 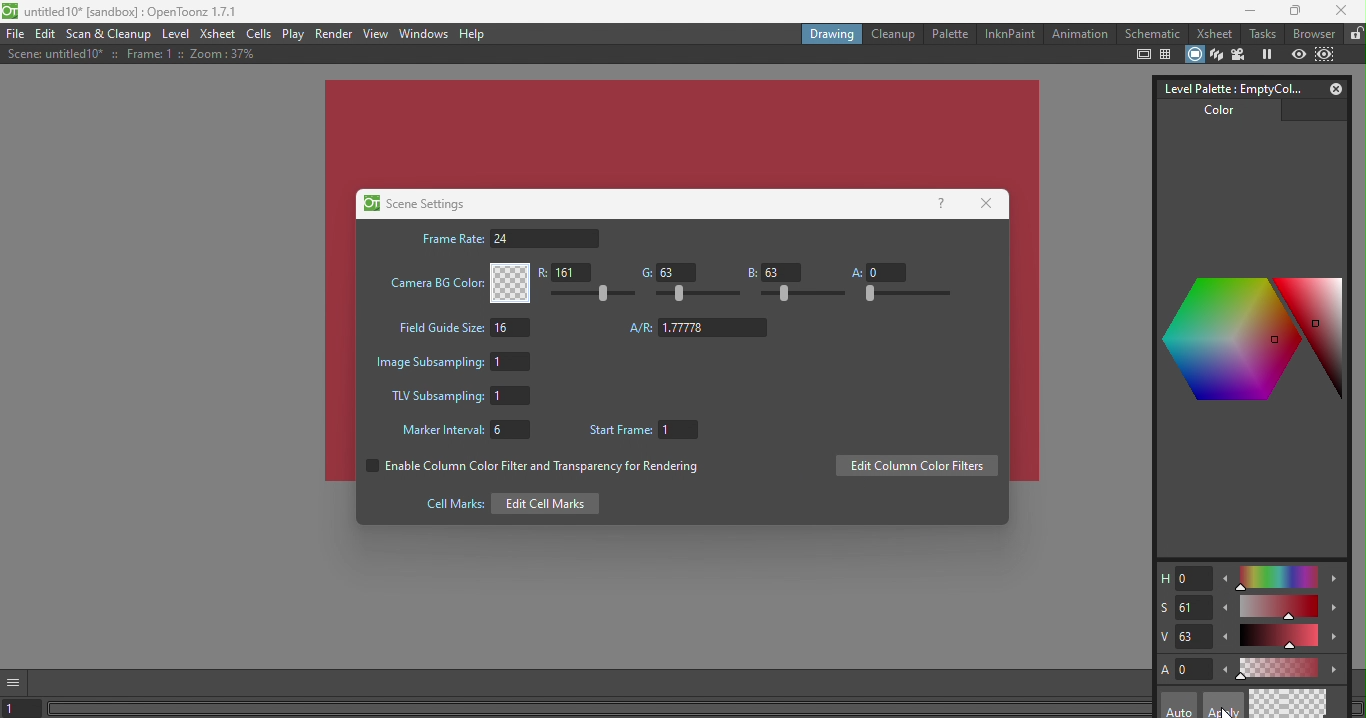 What do you see at coordinates (1335, 612) in the screenshot?
I see `` at bounding box center [1335, 612].